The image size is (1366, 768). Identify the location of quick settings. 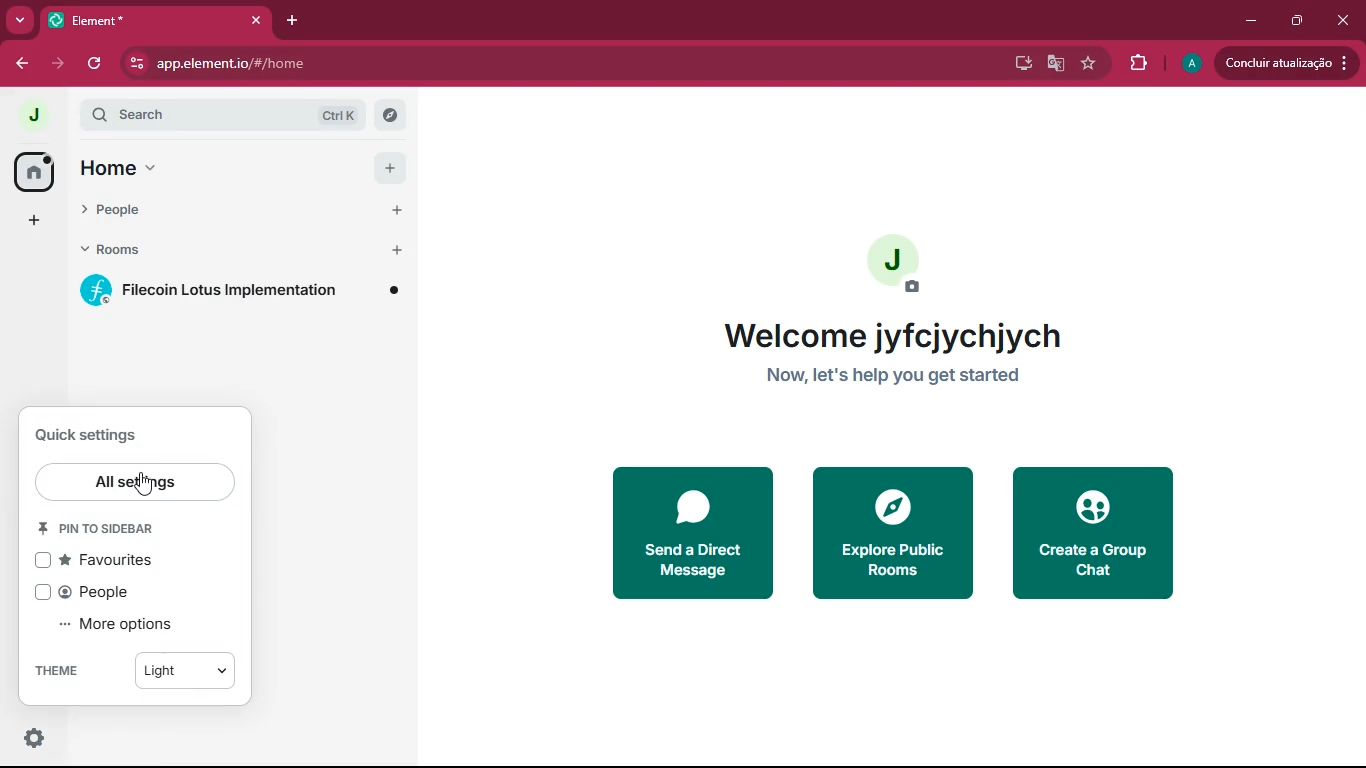
(86, 433).